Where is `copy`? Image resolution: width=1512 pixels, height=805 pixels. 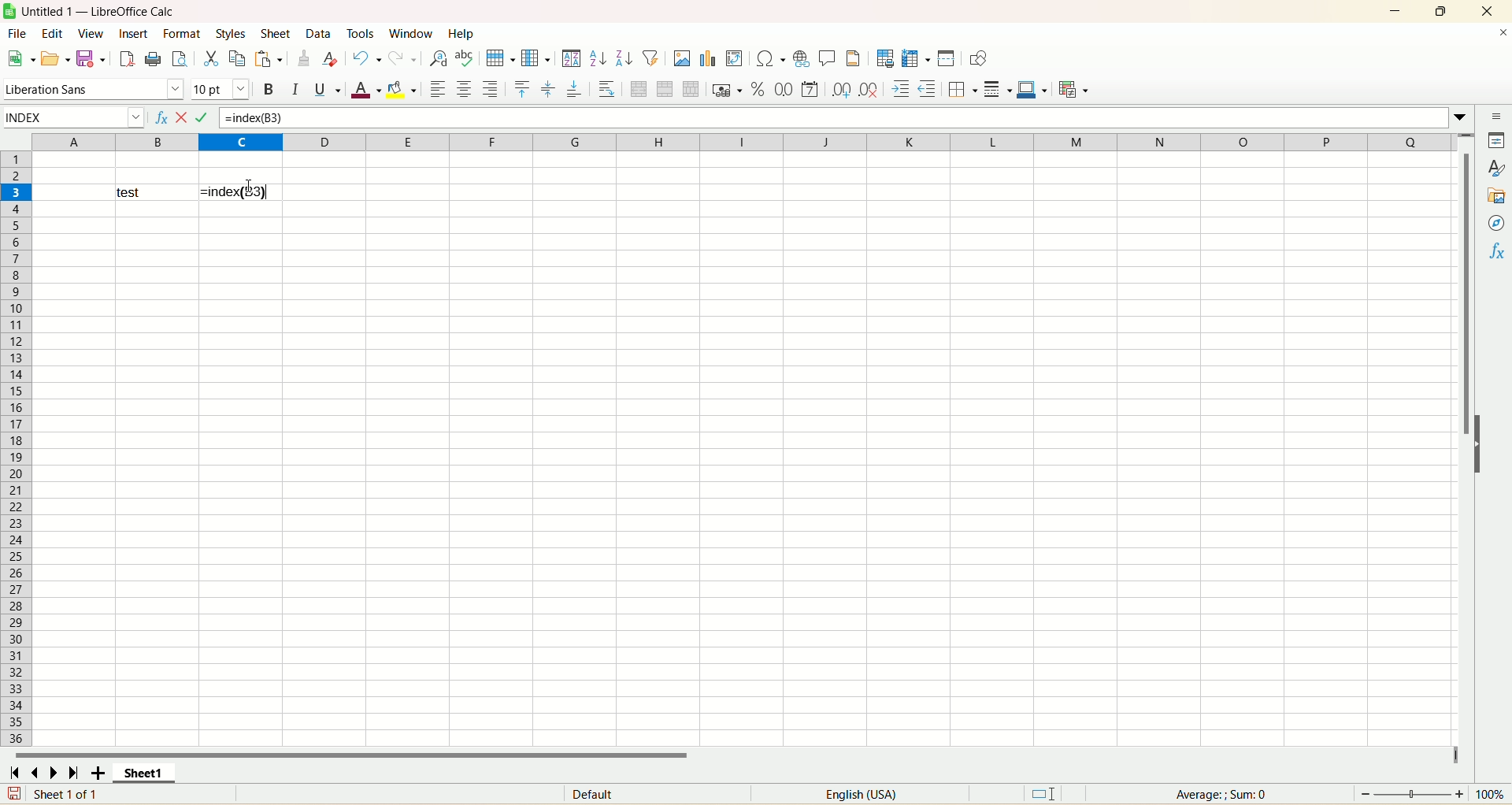
copy is located at coordinates (238, 58).